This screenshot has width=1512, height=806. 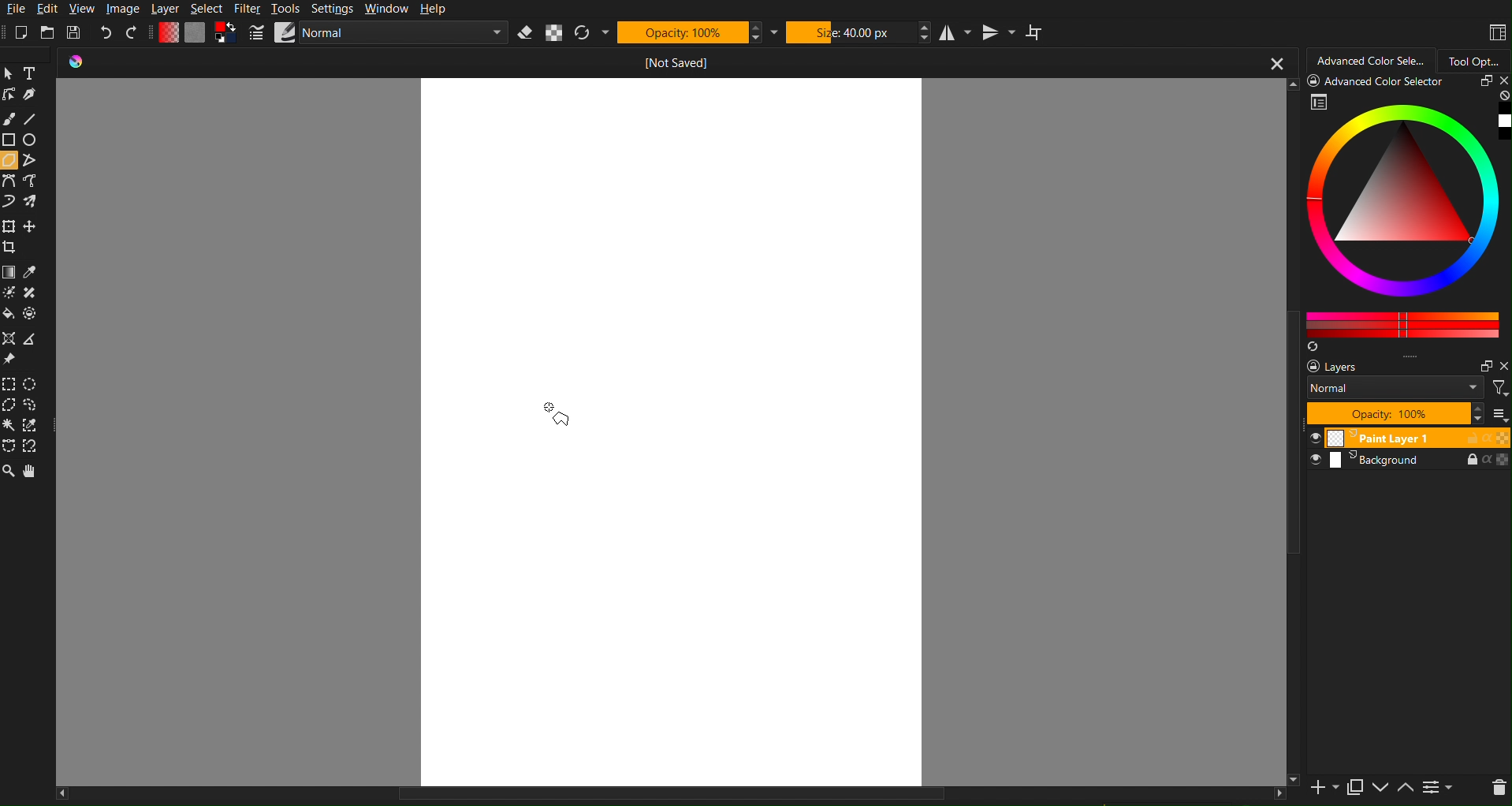 I want to click on restore panel, so click(x=1483, y=83).